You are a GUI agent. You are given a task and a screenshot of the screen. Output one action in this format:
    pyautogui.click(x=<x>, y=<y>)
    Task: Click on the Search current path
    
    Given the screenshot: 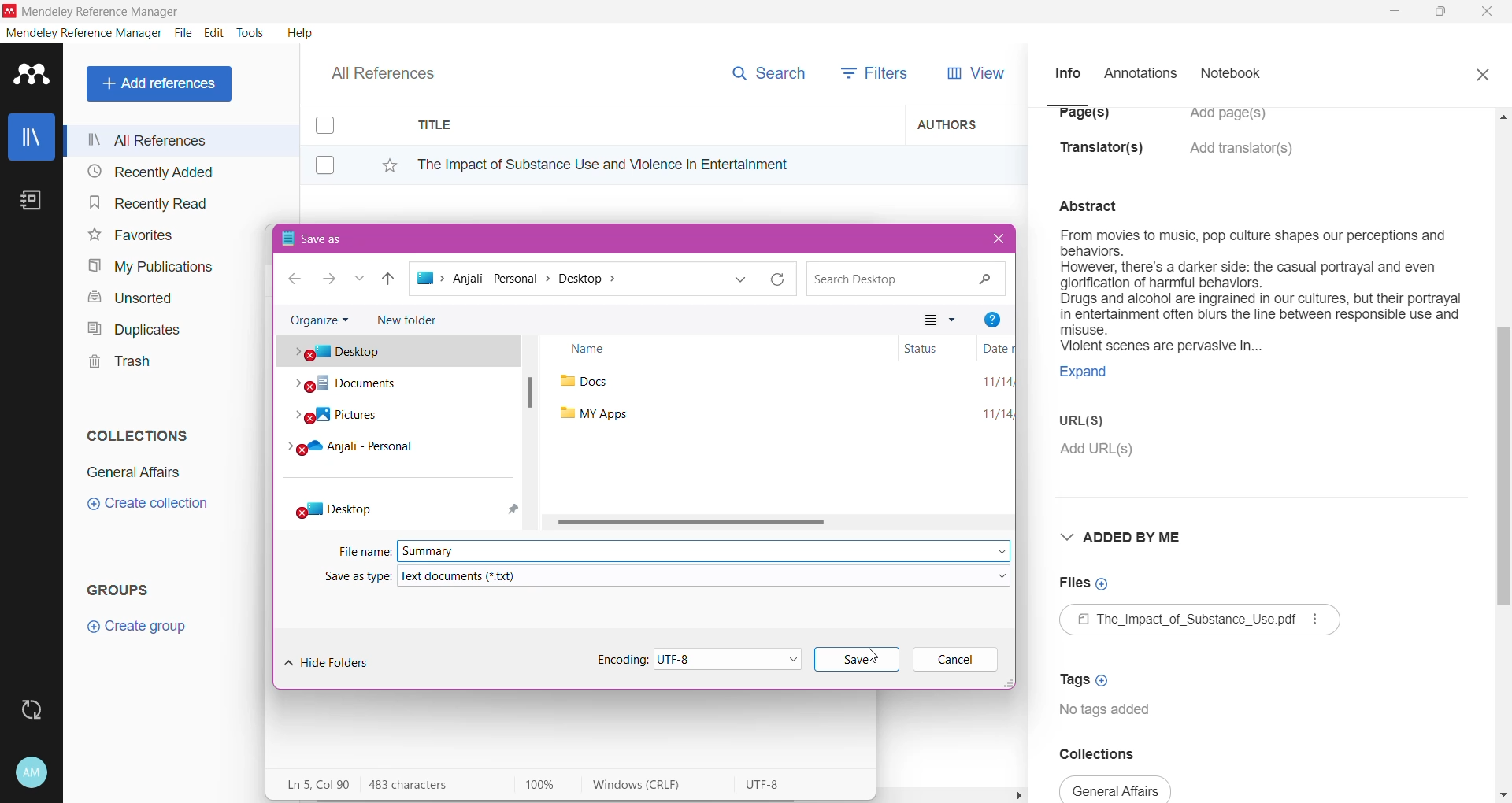 What is the action you would take?
    pyautogui.click(x=904, y=278)
    